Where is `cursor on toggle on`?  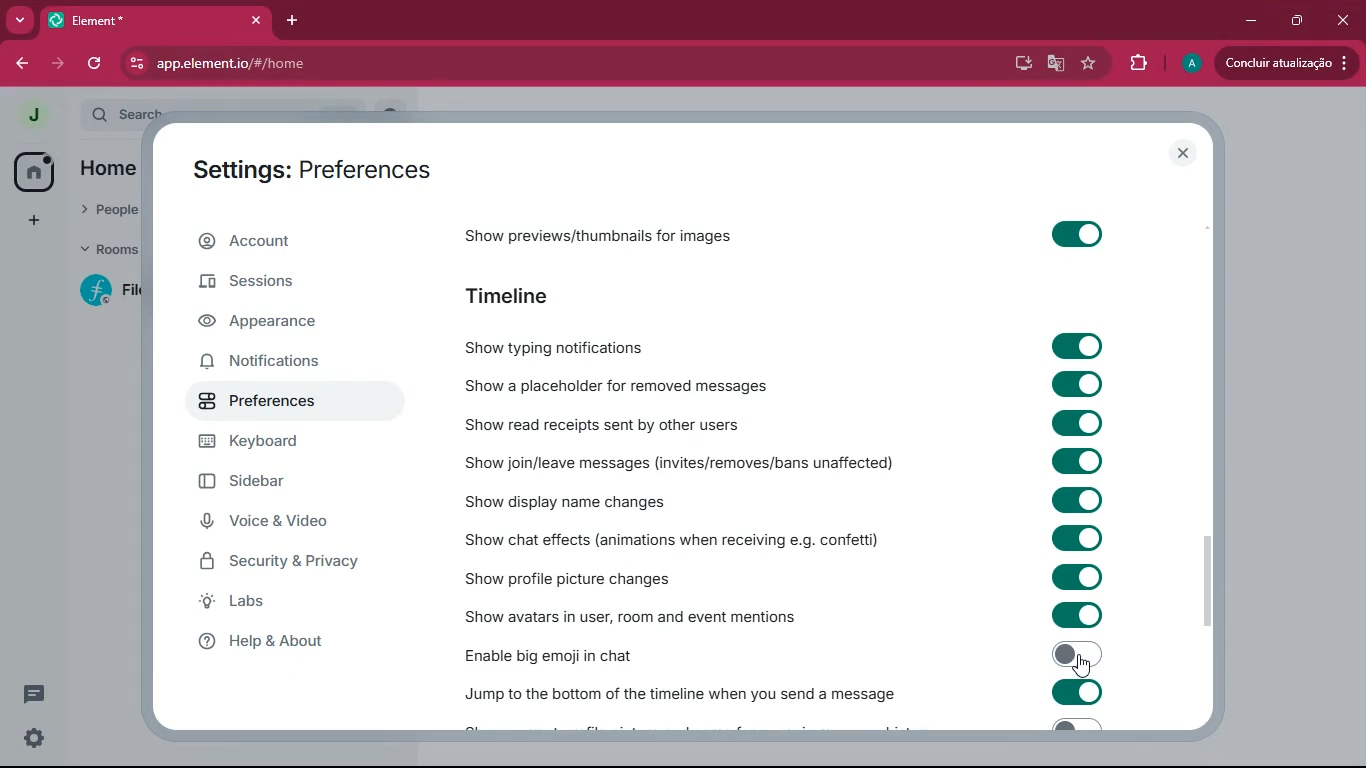 cursor on toggle on is located at coordinates (1085, 667).